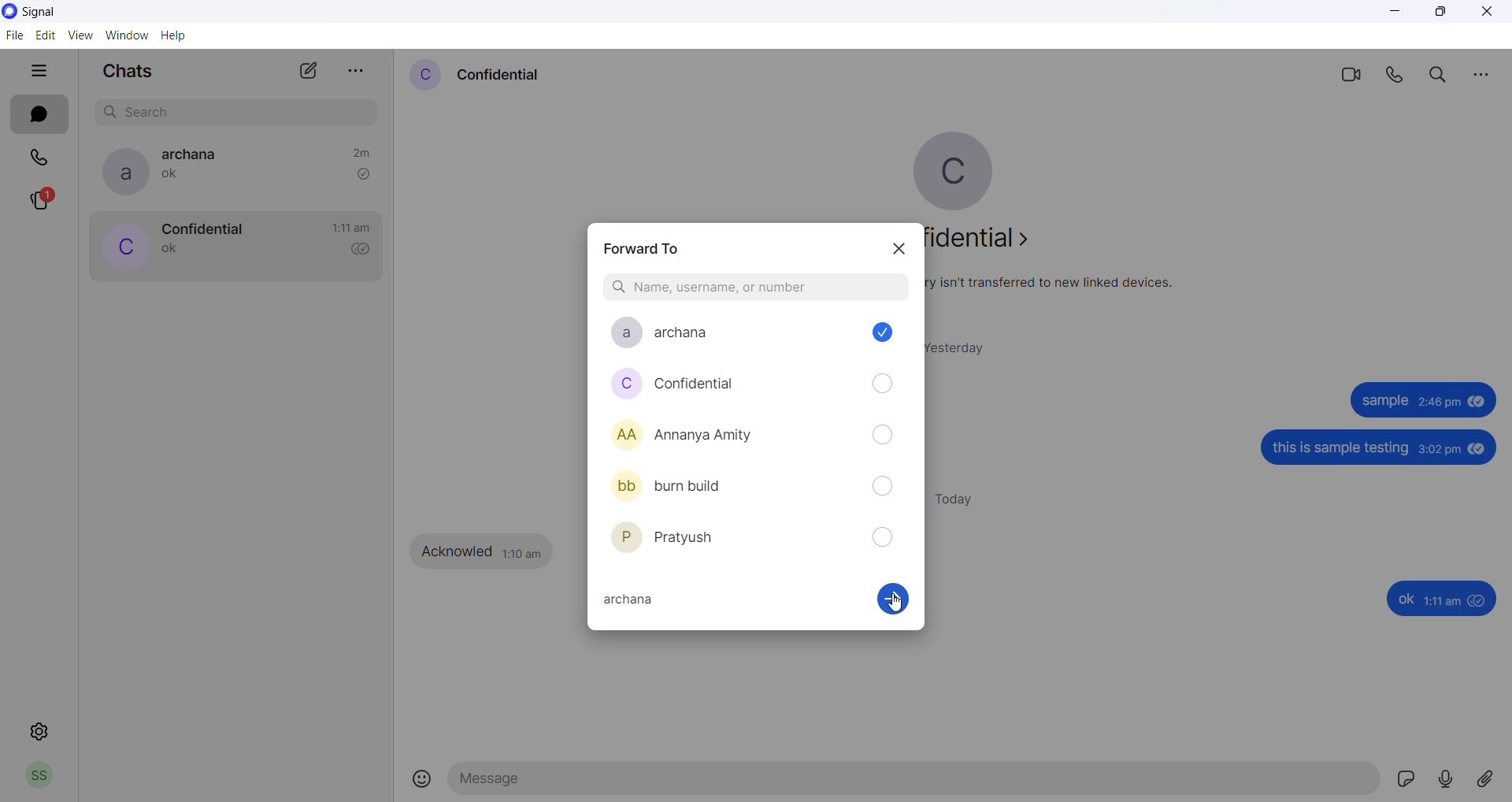 Image resolution: width=1512 pixels, height=802 pixels. Describe the element at coordinates (351, 228) in the screenshot. I see `last message time` at that location.